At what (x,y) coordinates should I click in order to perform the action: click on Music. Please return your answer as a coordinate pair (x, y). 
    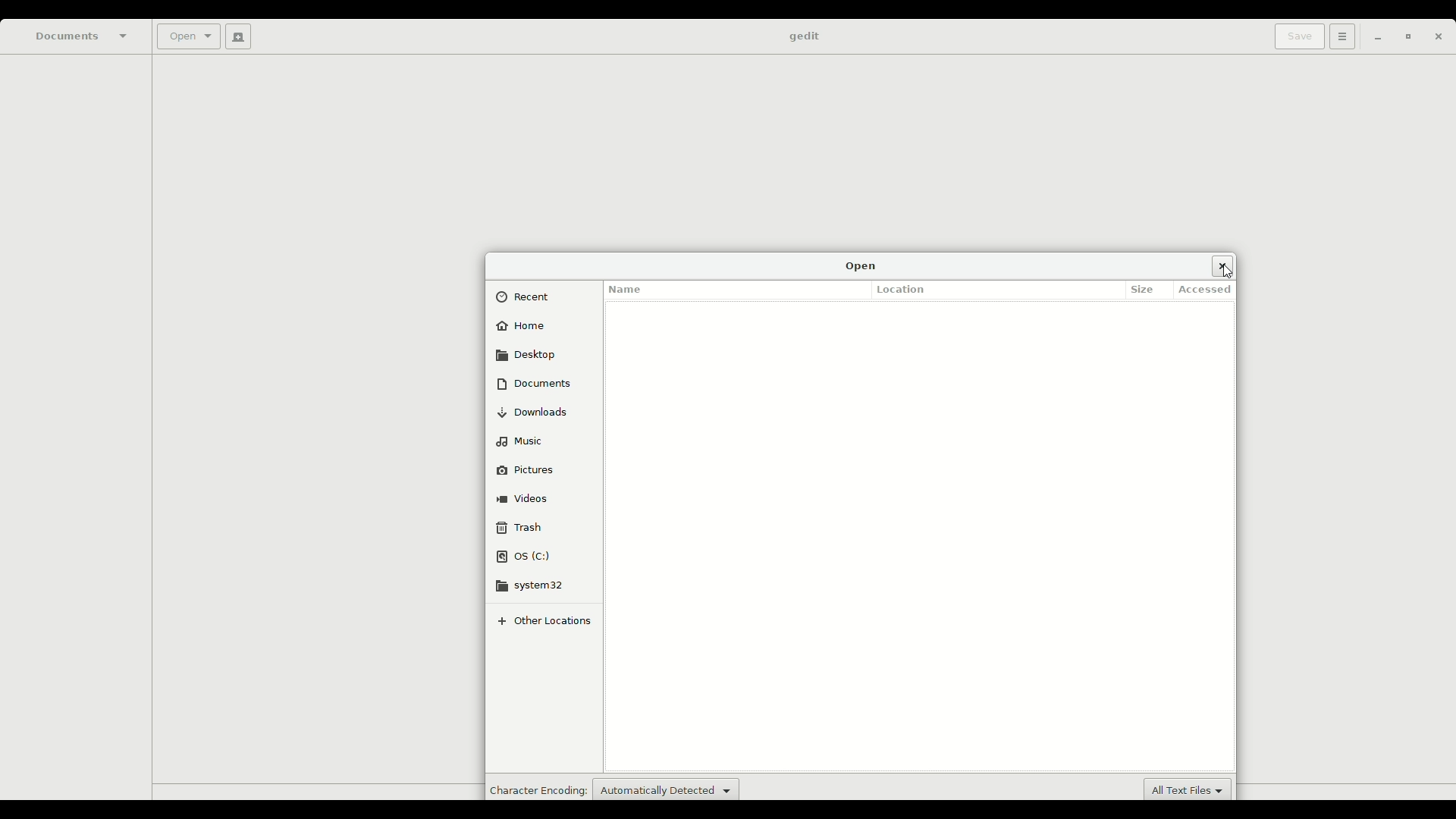
    Looking at the image, I should click on (523, 439).